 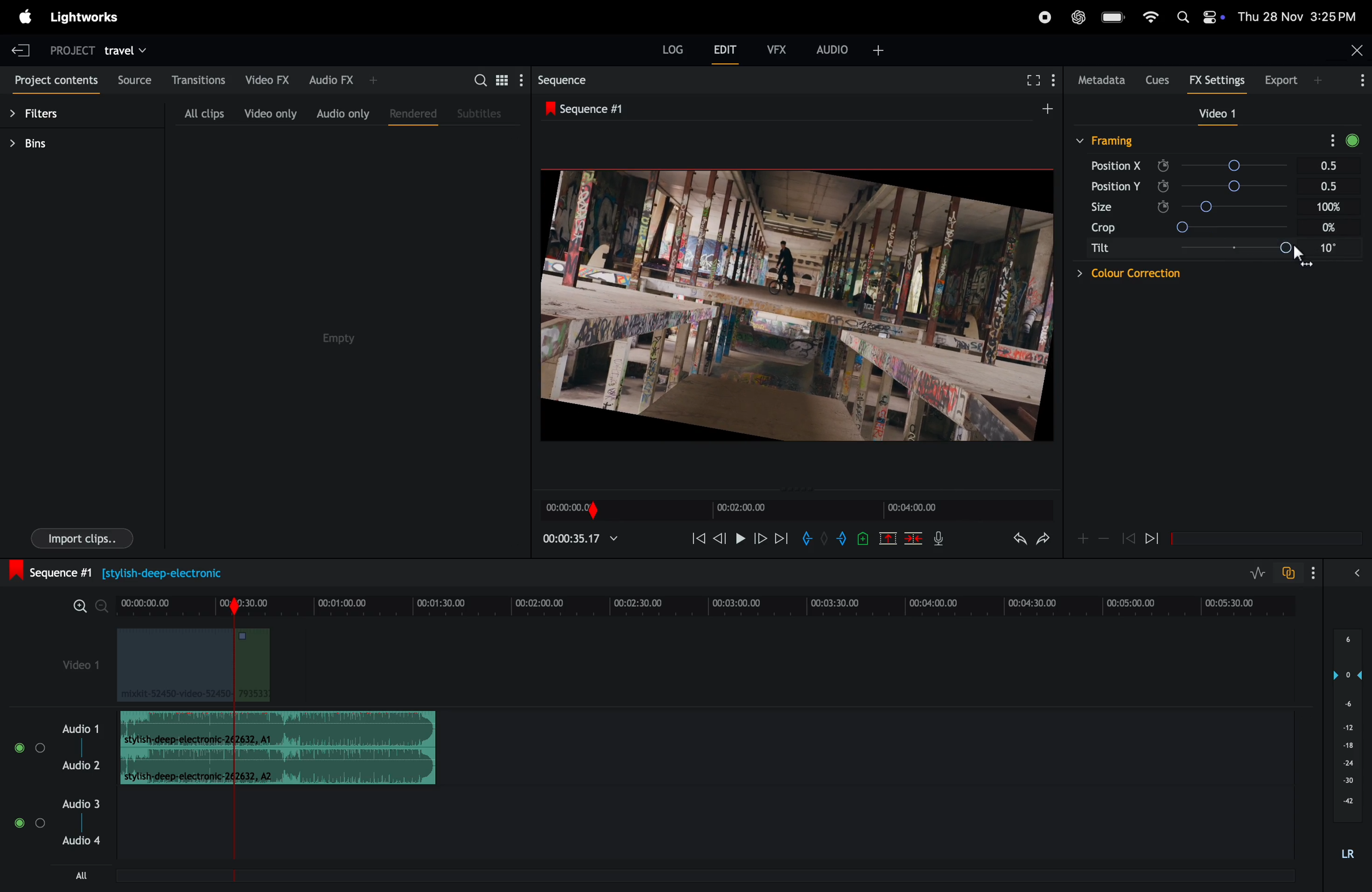 What do you see at coordinates (46, 110) in the screenshot?
I see `filters` at bounding box center [46, 110].